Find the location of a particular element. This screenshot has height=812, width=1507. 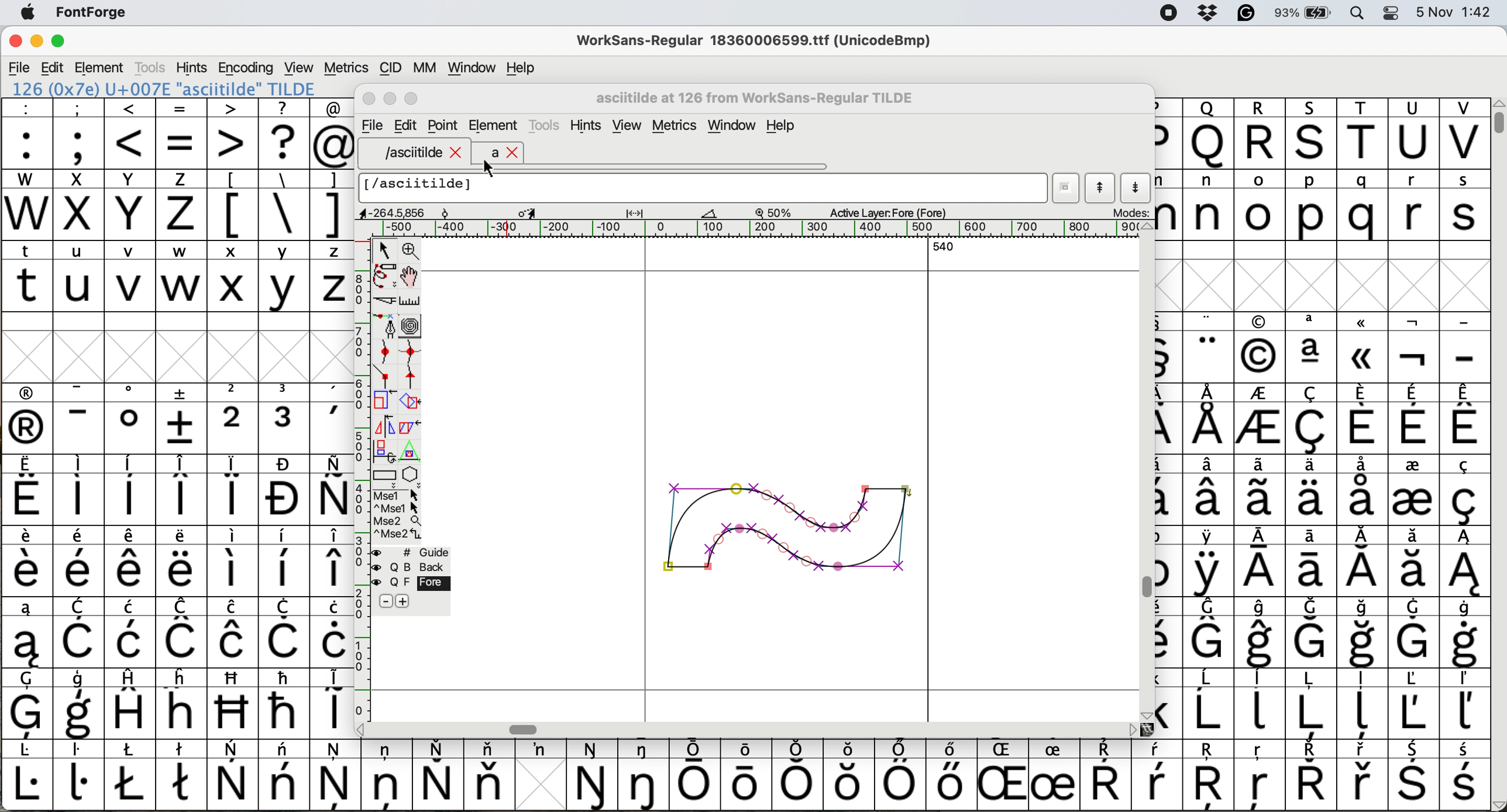

[ is located at coordinates (233, 205).